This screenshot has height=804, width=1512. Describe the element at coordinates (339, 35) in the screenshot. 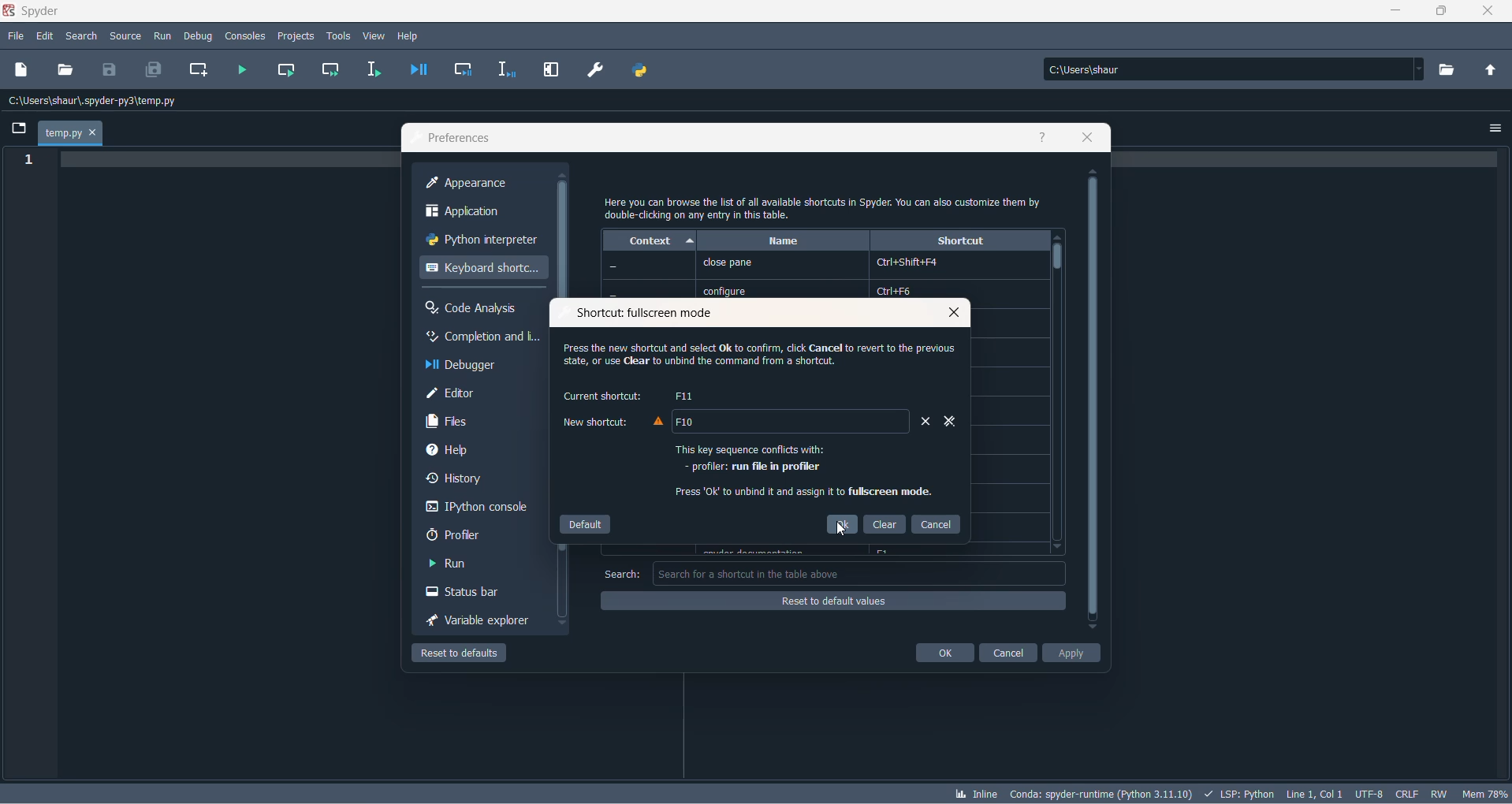

I see `tools` at that location.